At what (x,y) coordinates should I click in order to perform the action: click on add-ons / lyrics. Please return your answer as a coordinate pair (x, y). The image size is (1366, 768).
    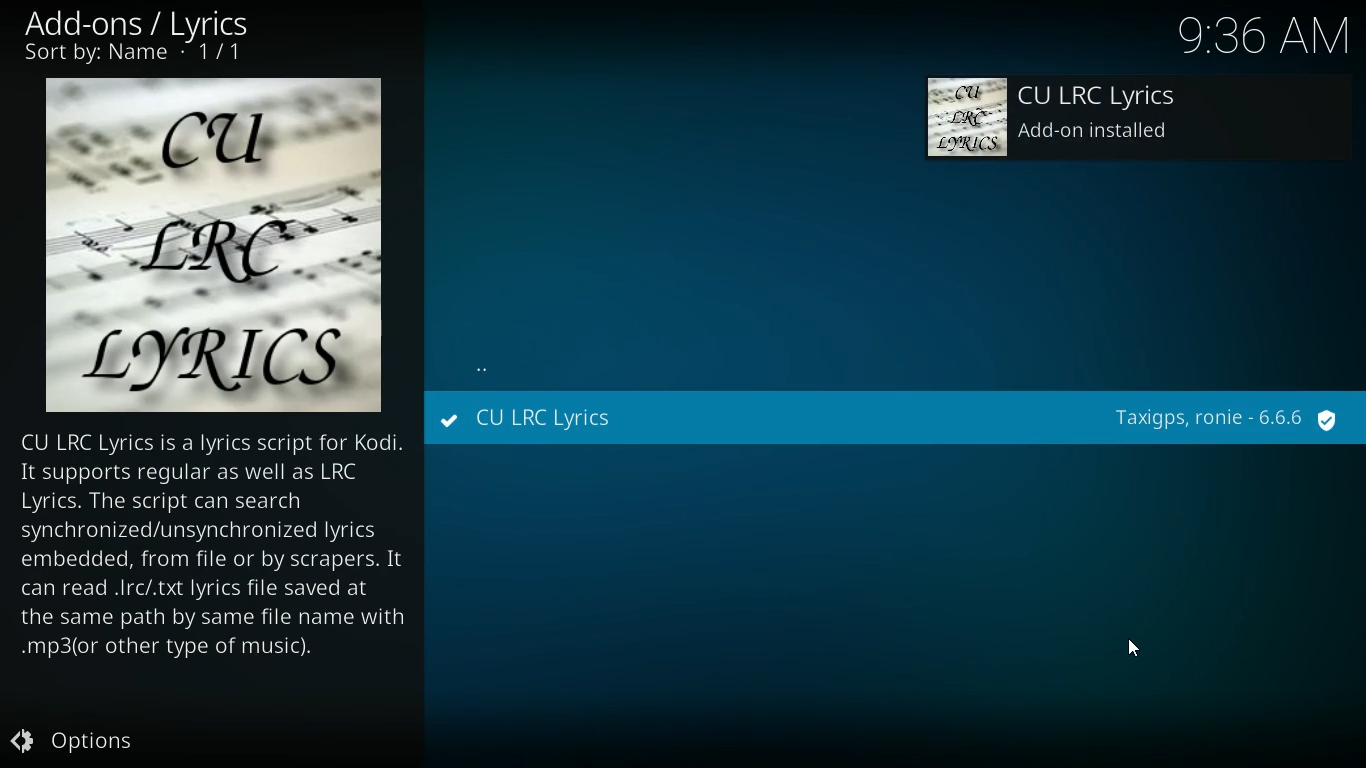
    Looking at the image, I should click on (143, 23).